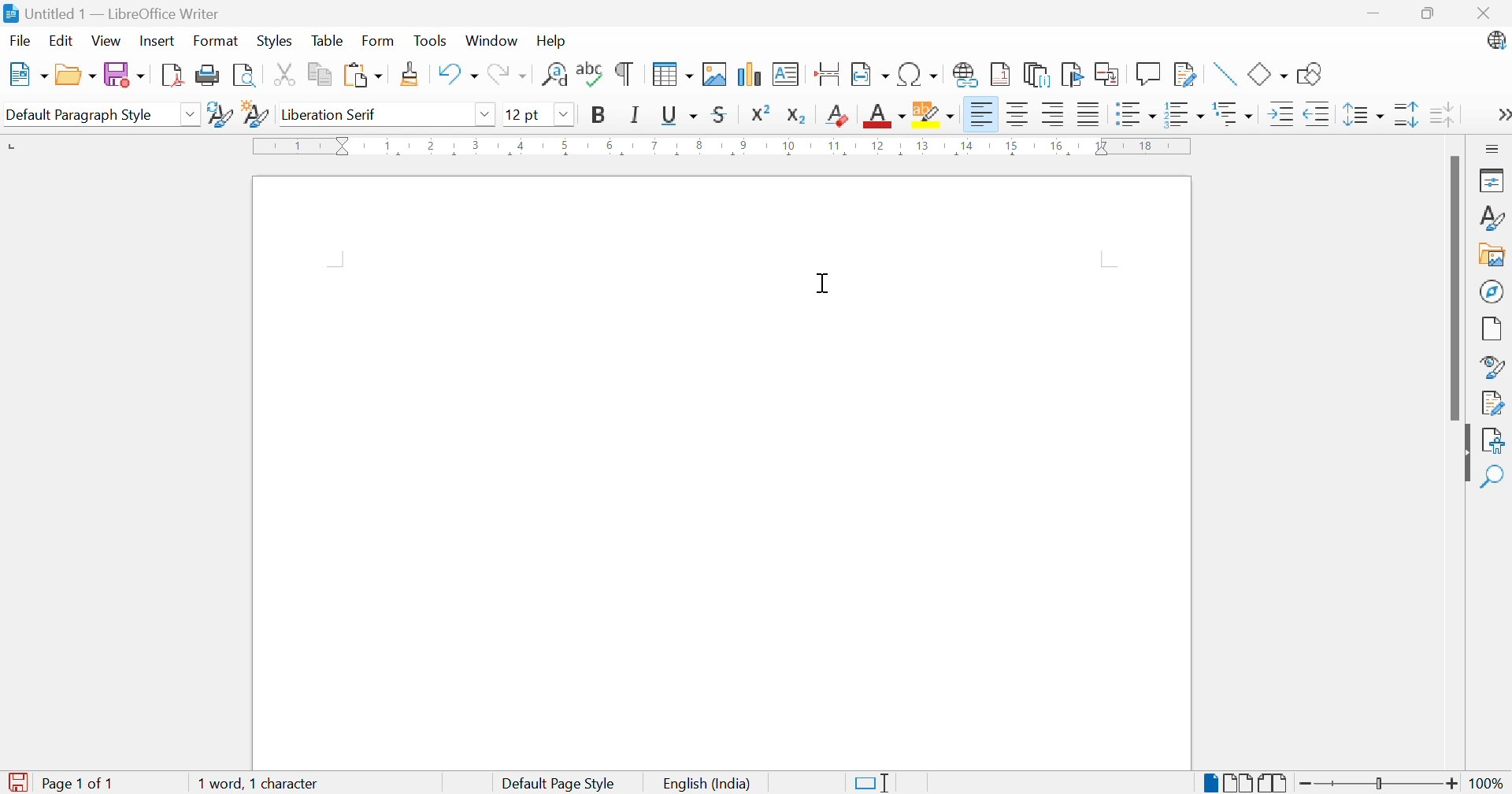 The width and height of the screenshot is (1512, 794). Describe the element at coordinates (1053, 115) in the screenshot. I see `Align Right` at that location.